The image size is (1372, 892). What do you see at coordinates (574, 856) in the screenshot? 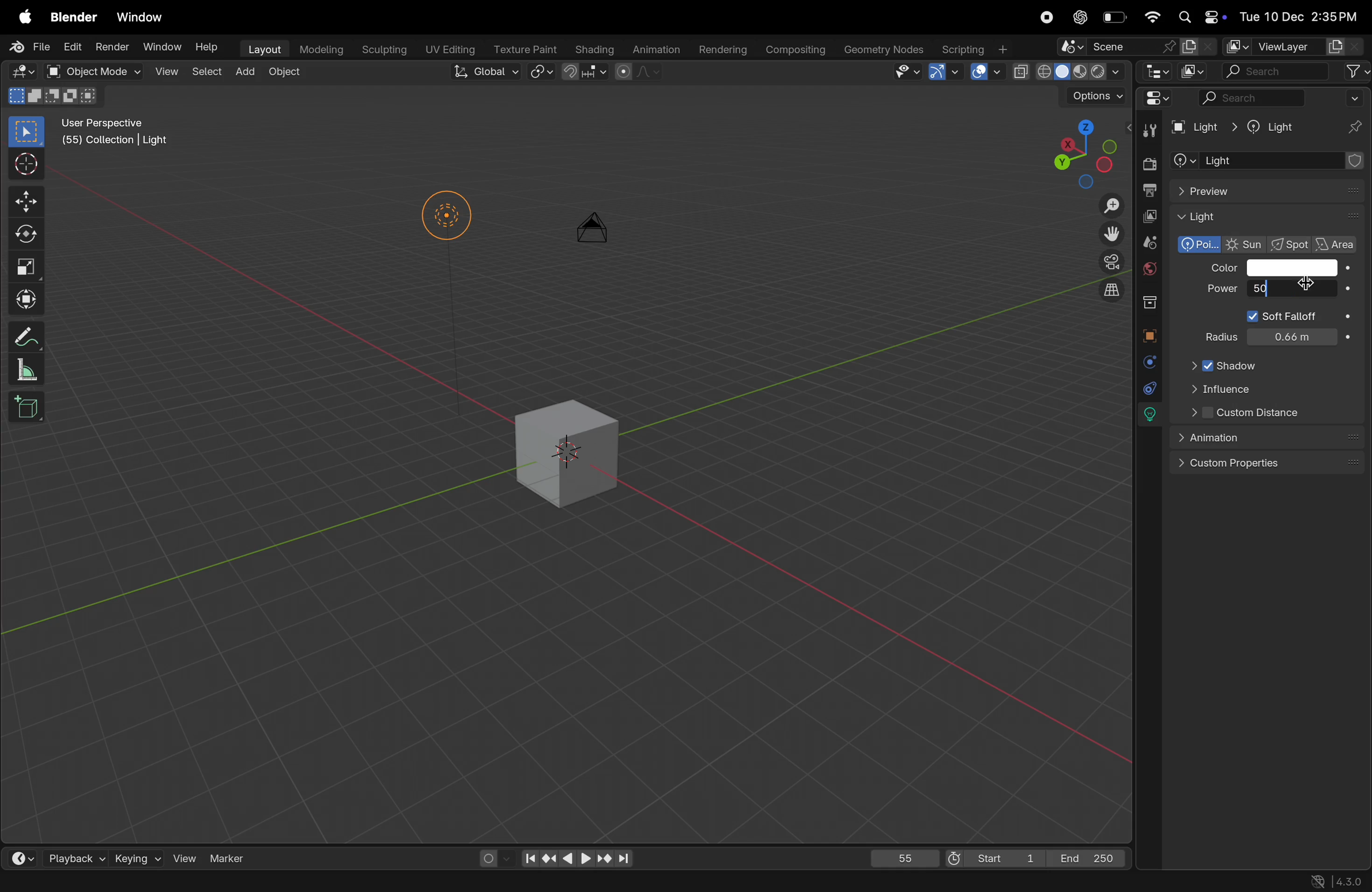
I see `playback contorls` at bounding box center [574, 856].